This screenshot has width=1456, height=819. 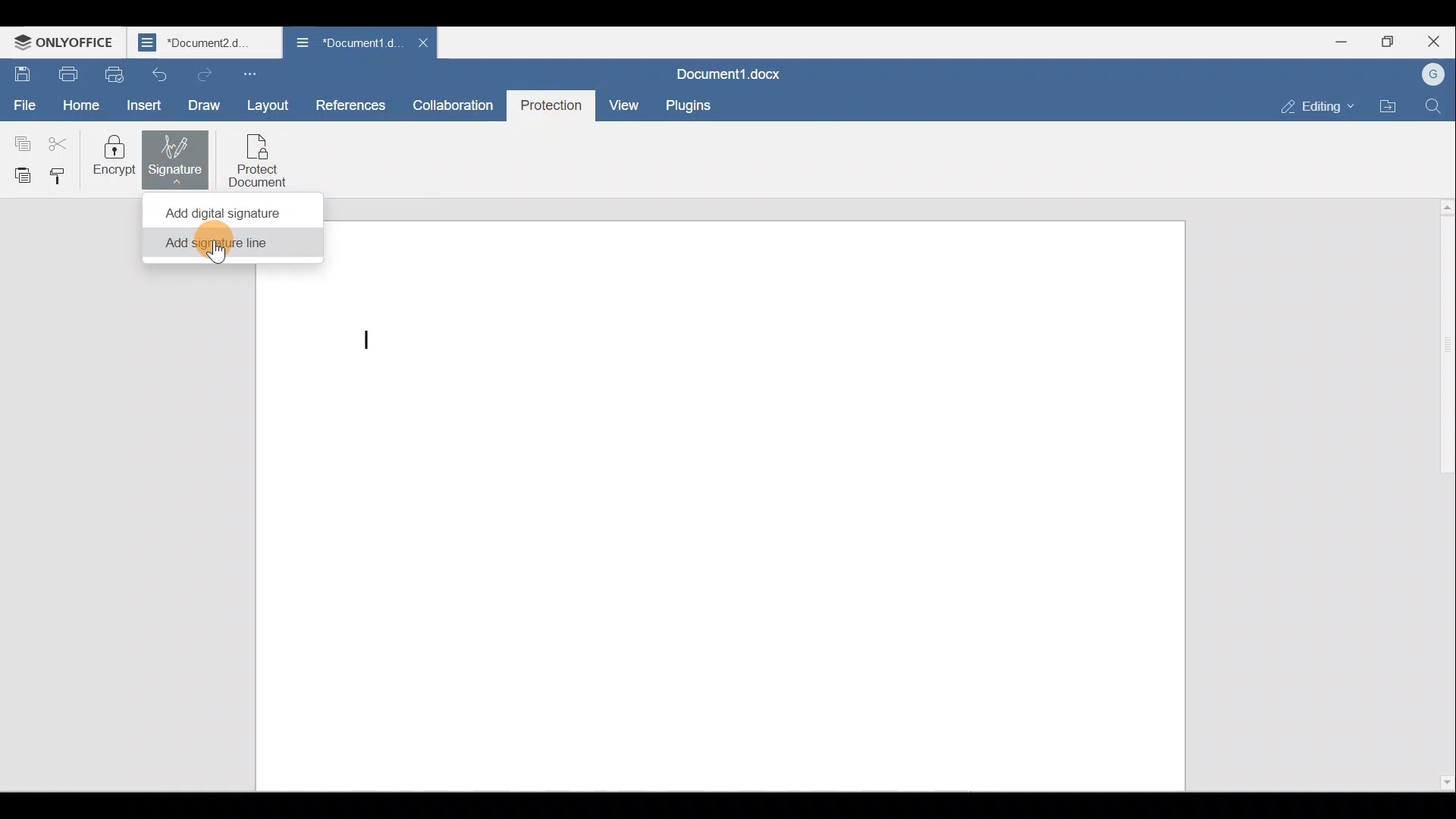 I want to click on Plugins, so click(x=688, y=105).